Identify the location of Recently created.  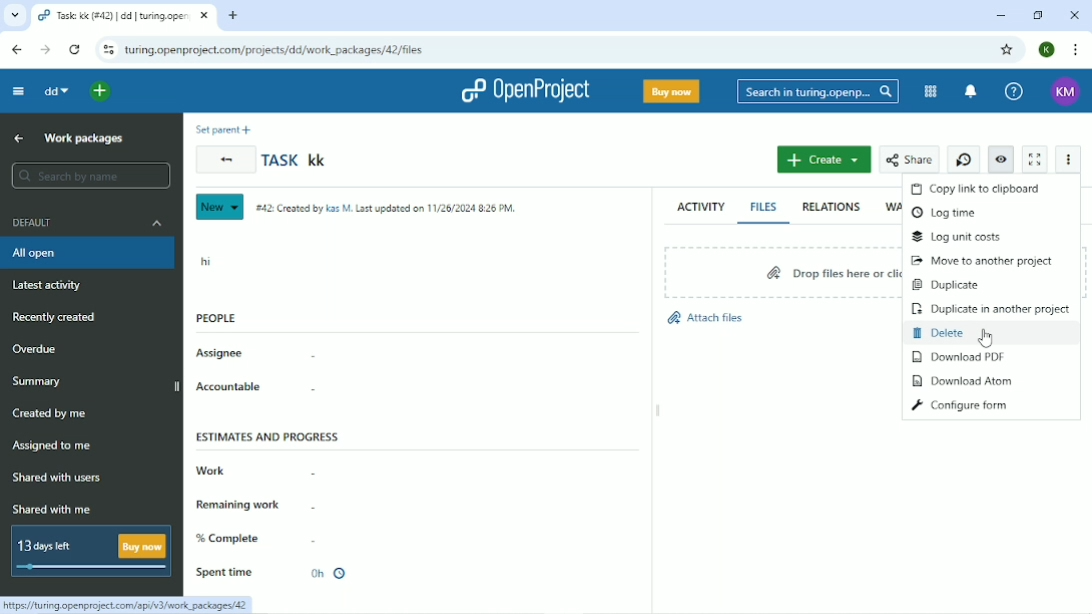
(56, 317).